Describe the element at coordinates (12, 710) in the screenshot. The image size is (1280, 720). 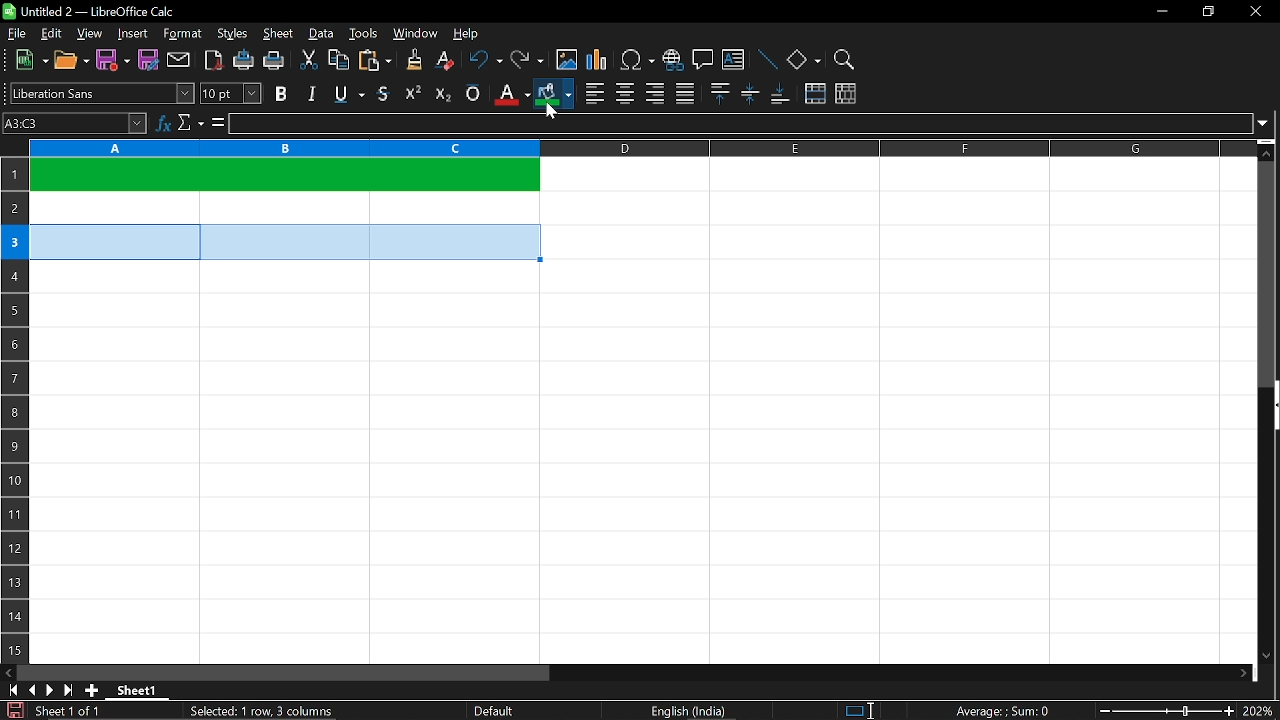
I see `save ` at that location.